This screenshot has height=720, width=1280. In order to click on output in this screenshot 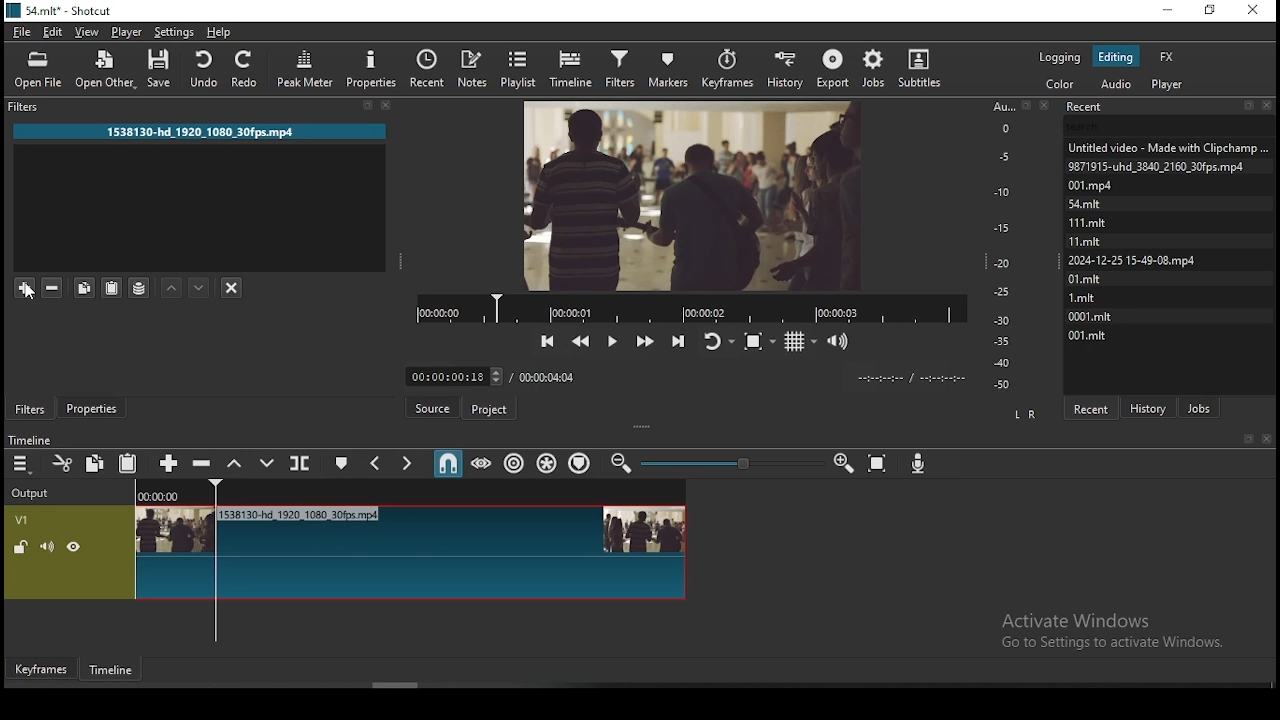, I will do `click(37, 490)`.